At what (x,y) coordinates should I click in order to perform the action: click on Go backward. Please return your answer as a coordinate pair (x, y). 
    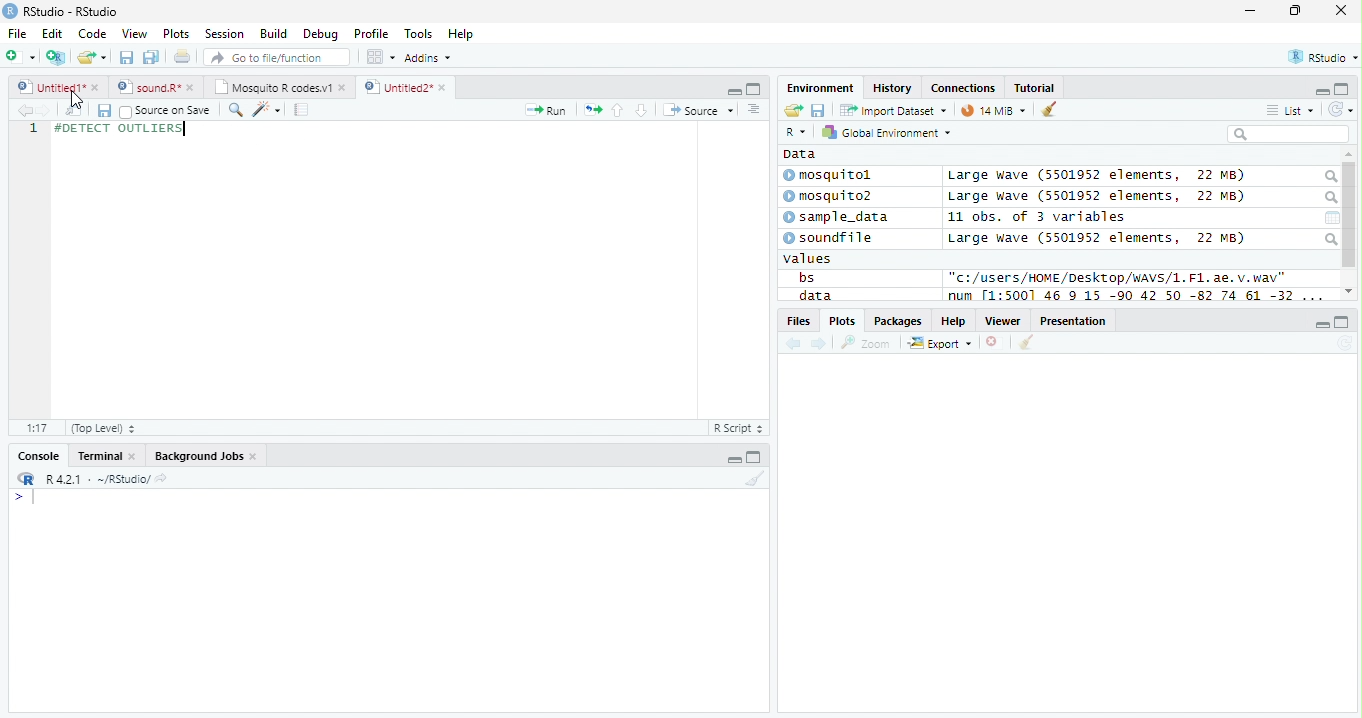
    Looking at the image, I should click on (794, 345).